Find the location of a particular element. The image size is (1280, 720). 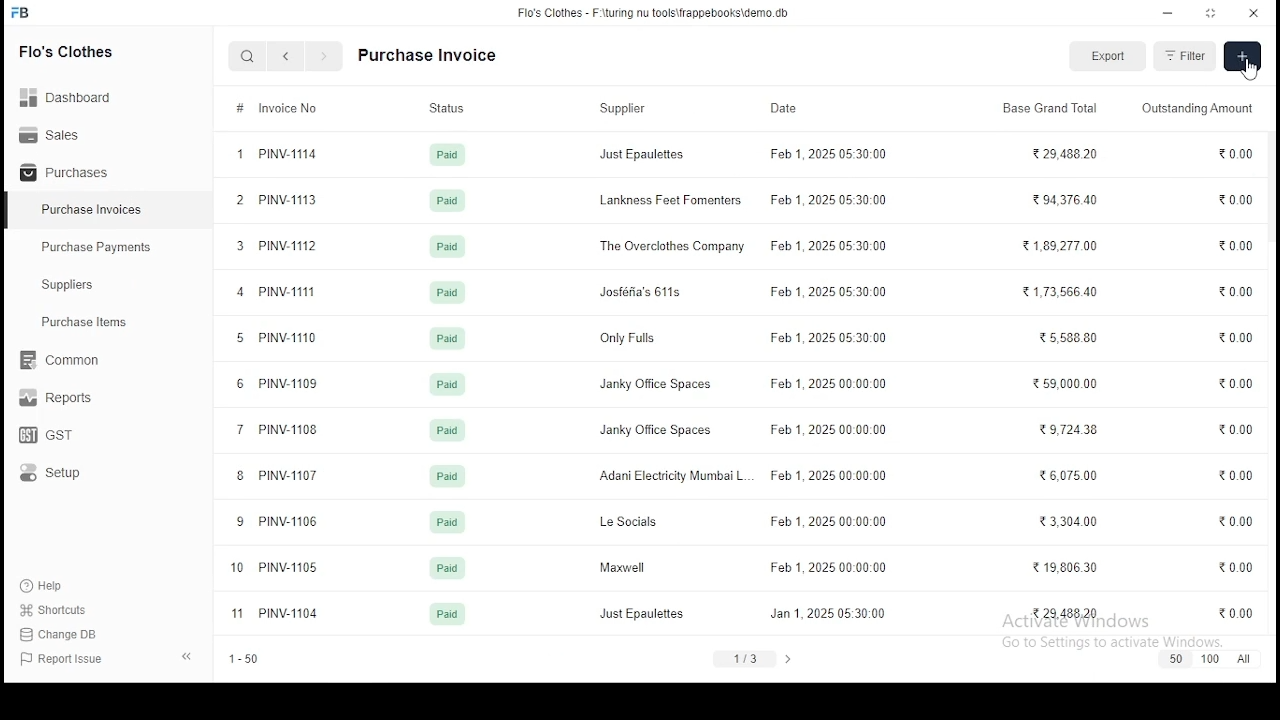

Le Socials is located at coordinates (628, 521).